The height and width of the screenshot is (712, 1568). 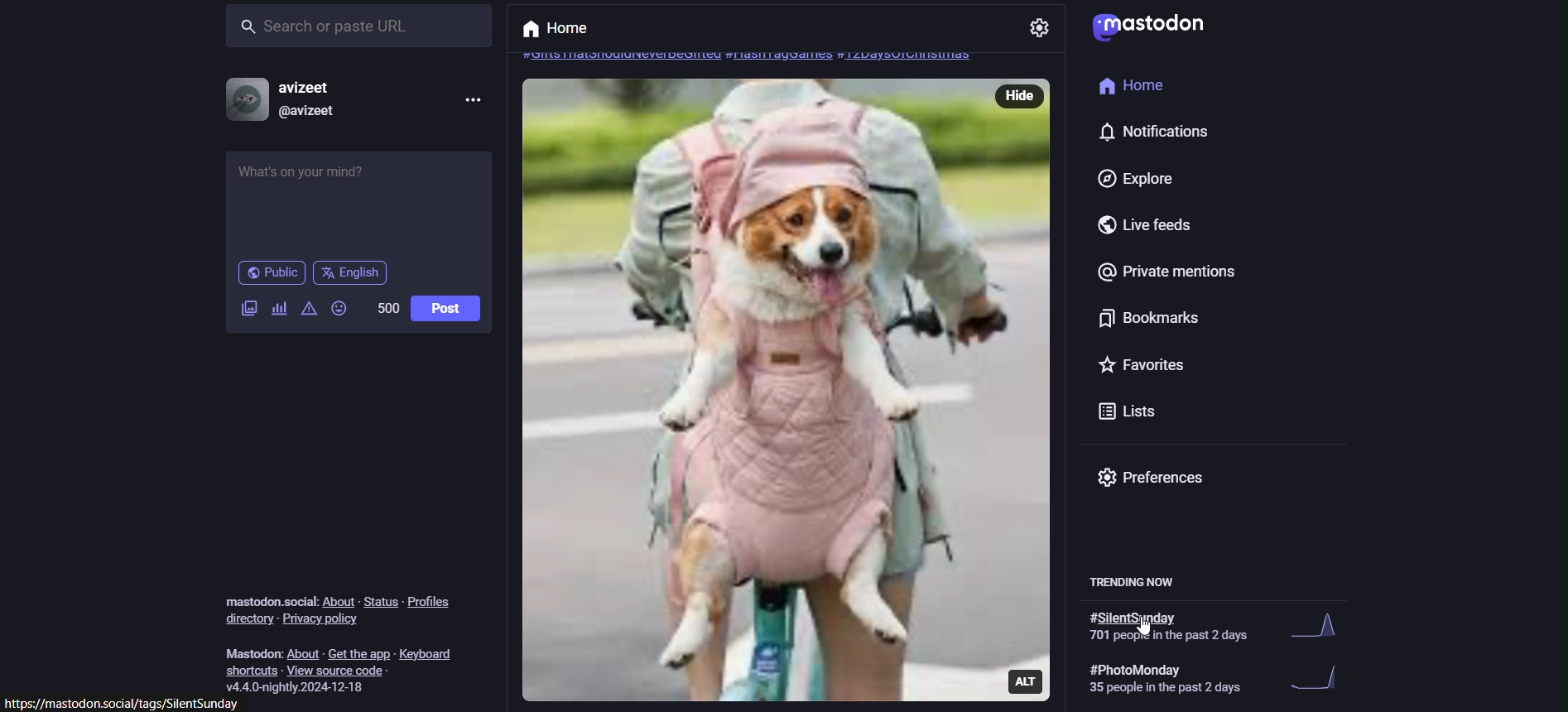 What do you see at coordinates (1162, 277) in the screenshot?
I see `Private mentions` at bounding box center [1162, 277].